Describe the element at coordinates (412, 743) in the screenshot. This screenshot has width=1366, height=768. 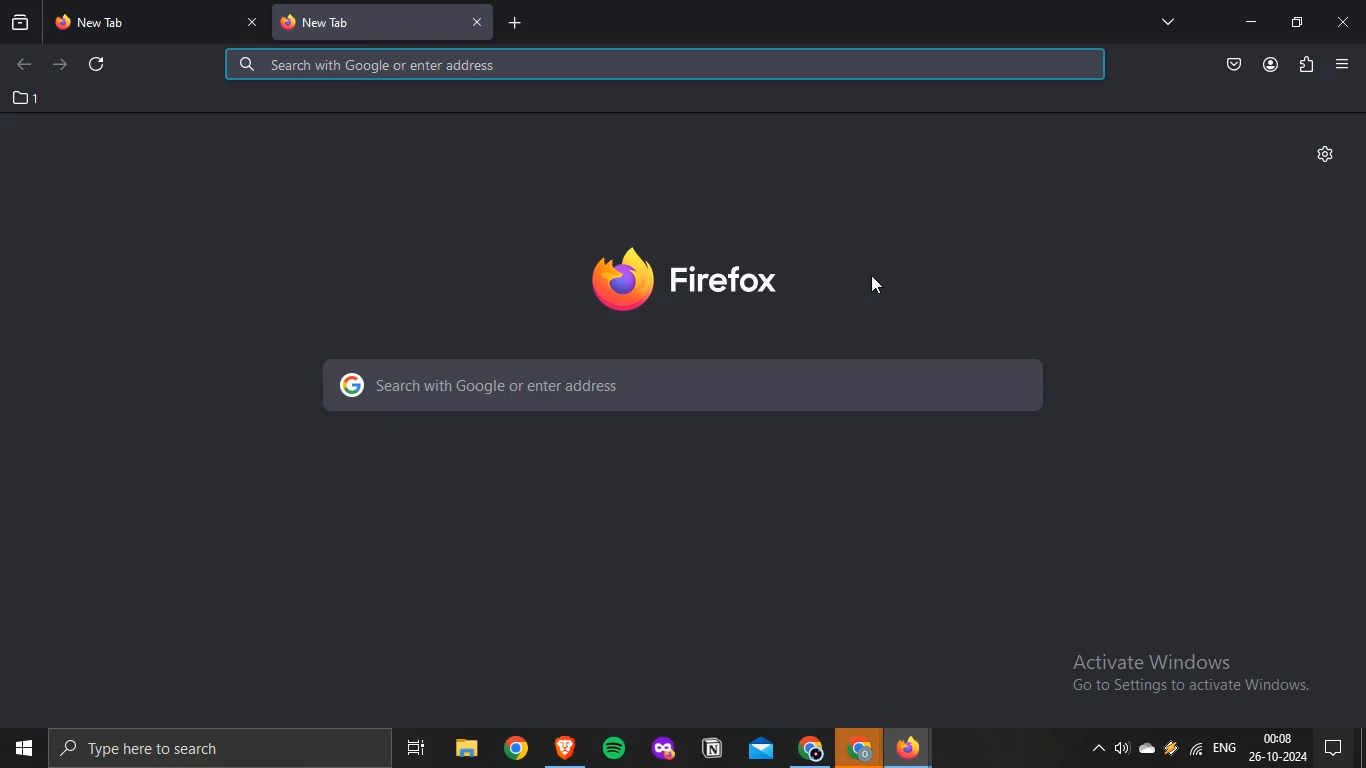
I see `` at that location.